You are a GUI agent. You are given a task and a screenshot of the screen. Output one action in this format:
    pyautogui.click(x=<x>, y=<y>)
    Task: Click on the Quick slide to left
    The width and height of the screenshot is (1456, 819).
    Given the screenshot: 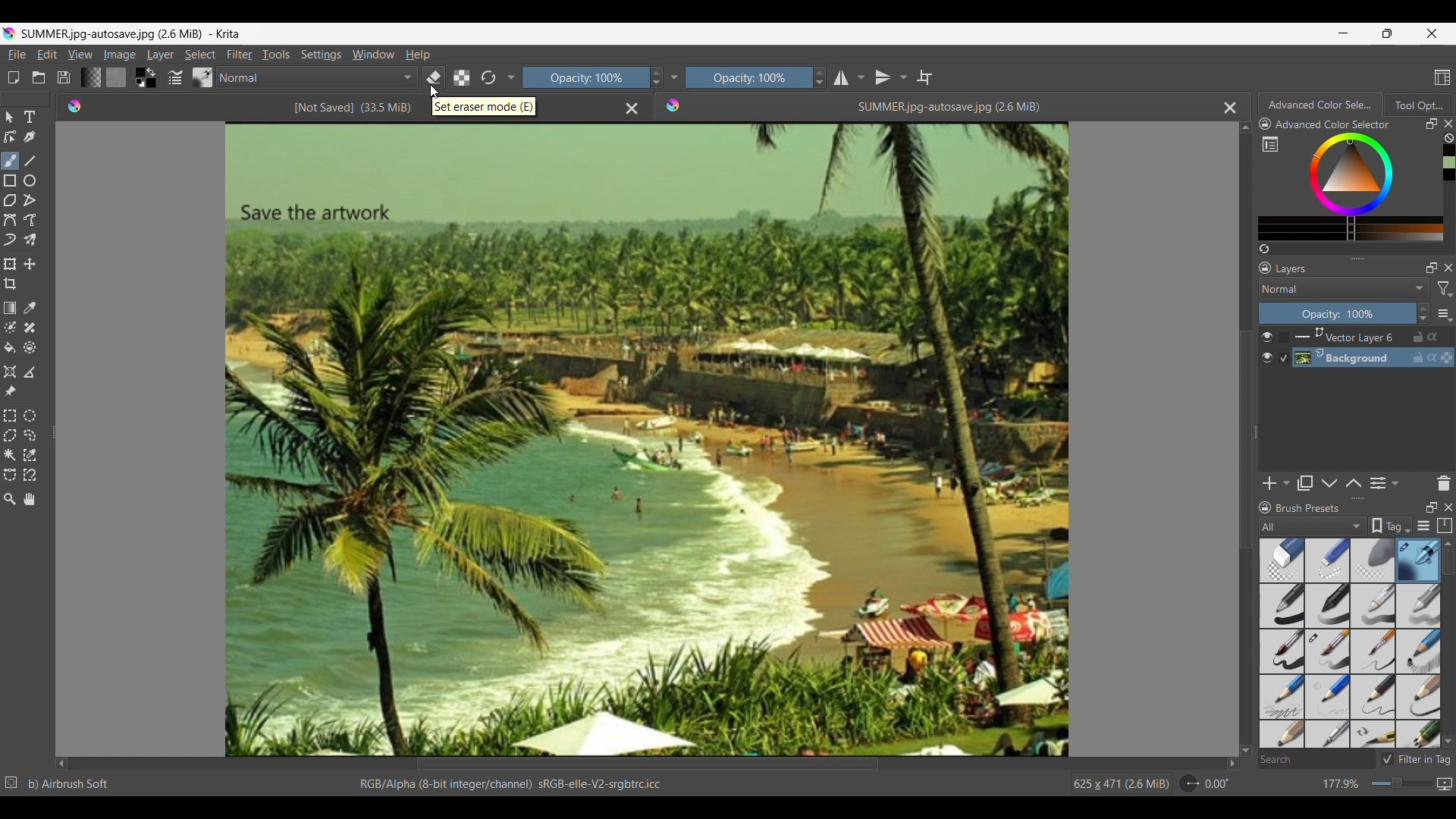 What is the action you would take?
    pyautogui.click(x=61, y=764)
    